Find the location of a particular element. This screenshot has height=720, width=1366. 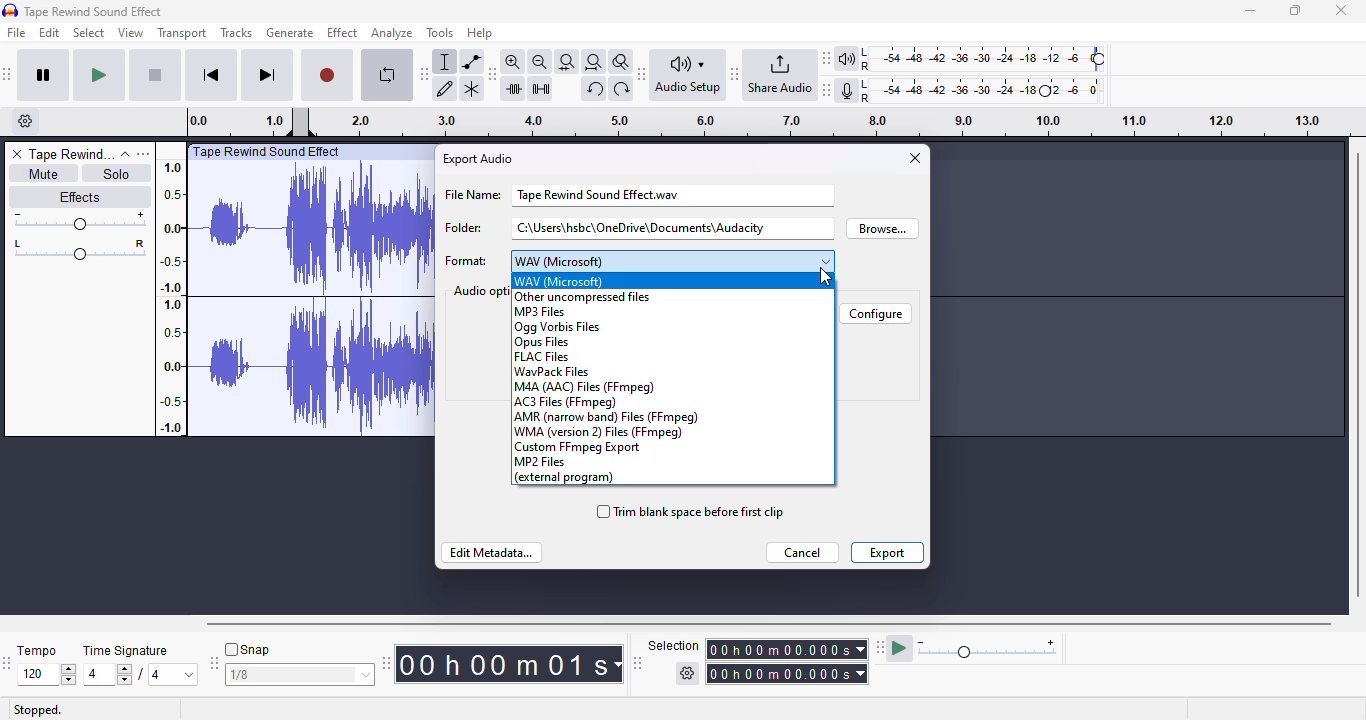

fit project to width is located at coordinates (594, 61).